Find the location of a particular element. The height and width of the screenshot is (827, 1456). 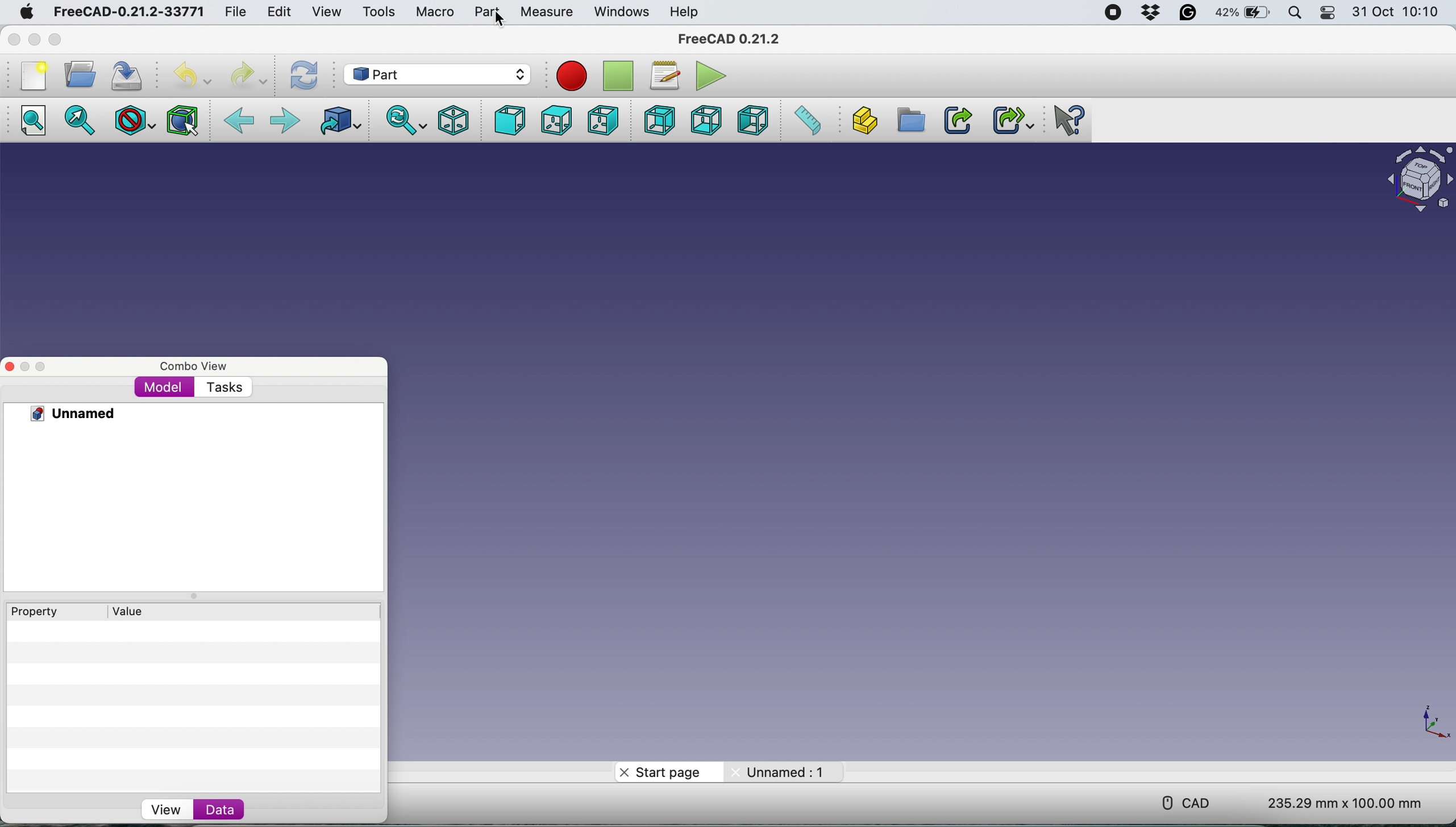

Top is located at coordinates (555, 120).